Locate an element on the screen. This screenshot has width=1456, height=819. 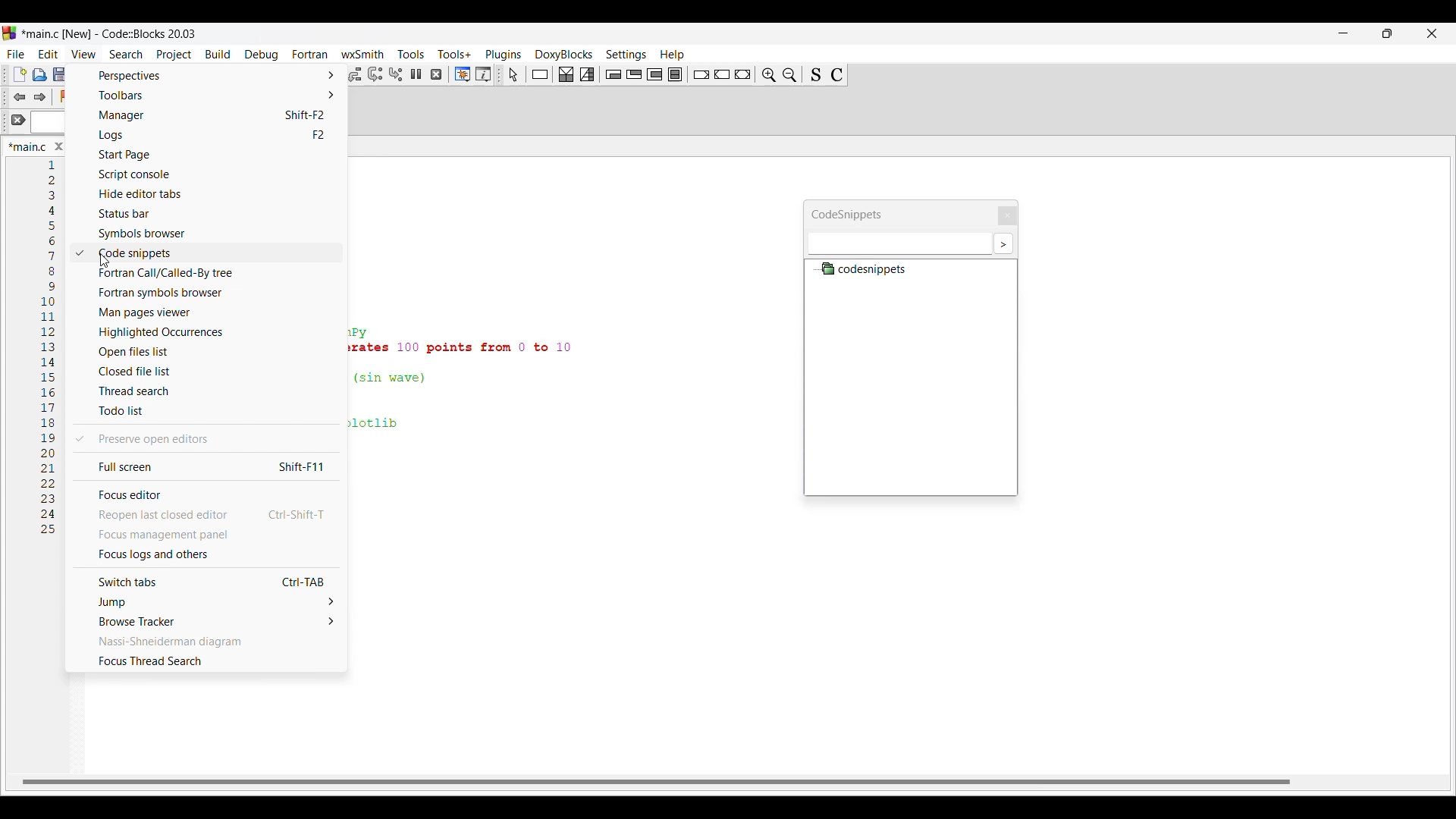
Debugging windows is located at coordinates (462, 74).